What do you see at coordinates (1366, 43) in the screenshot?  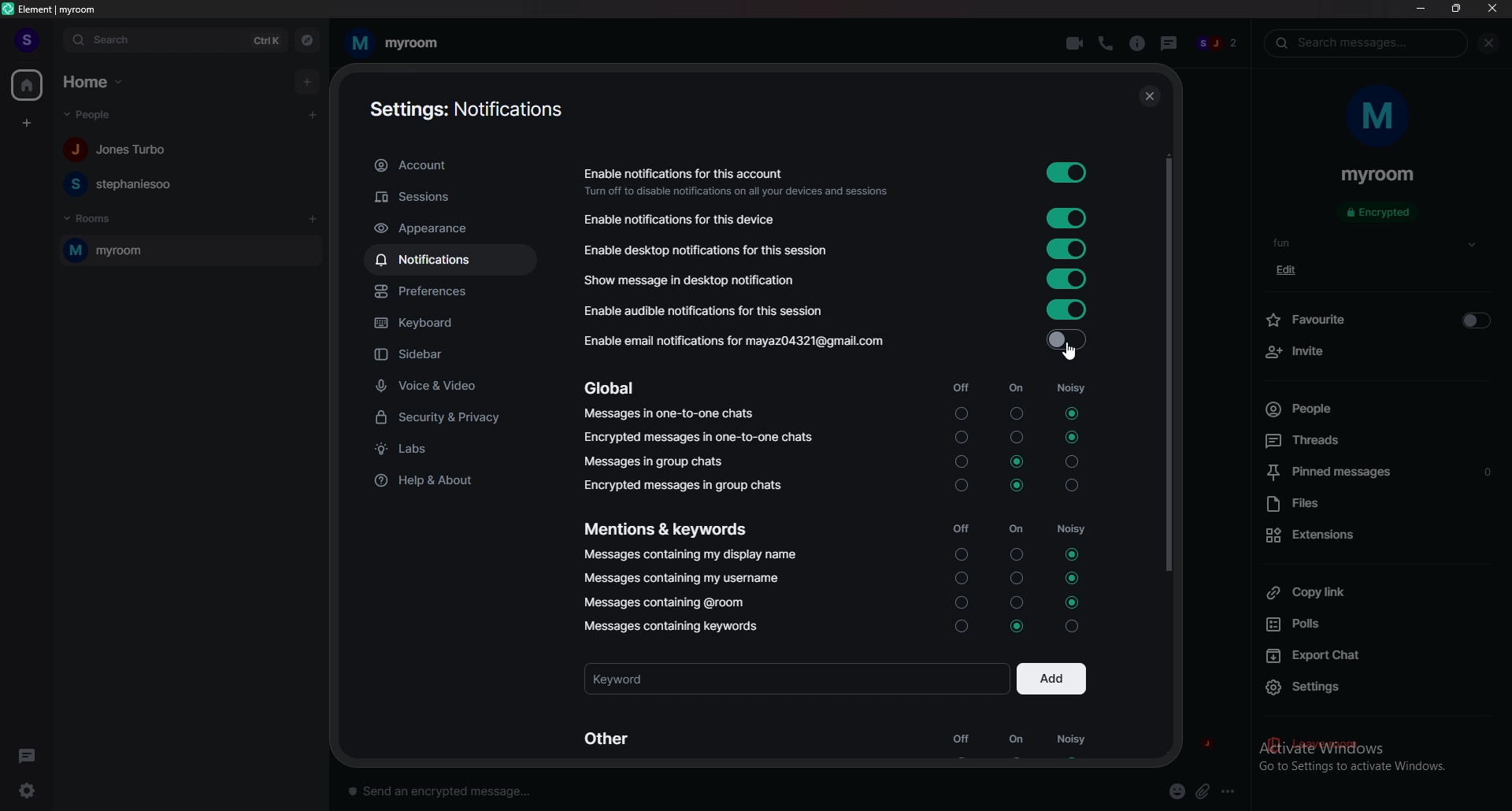 I see `search messages` at bounding box center [1366, 43].